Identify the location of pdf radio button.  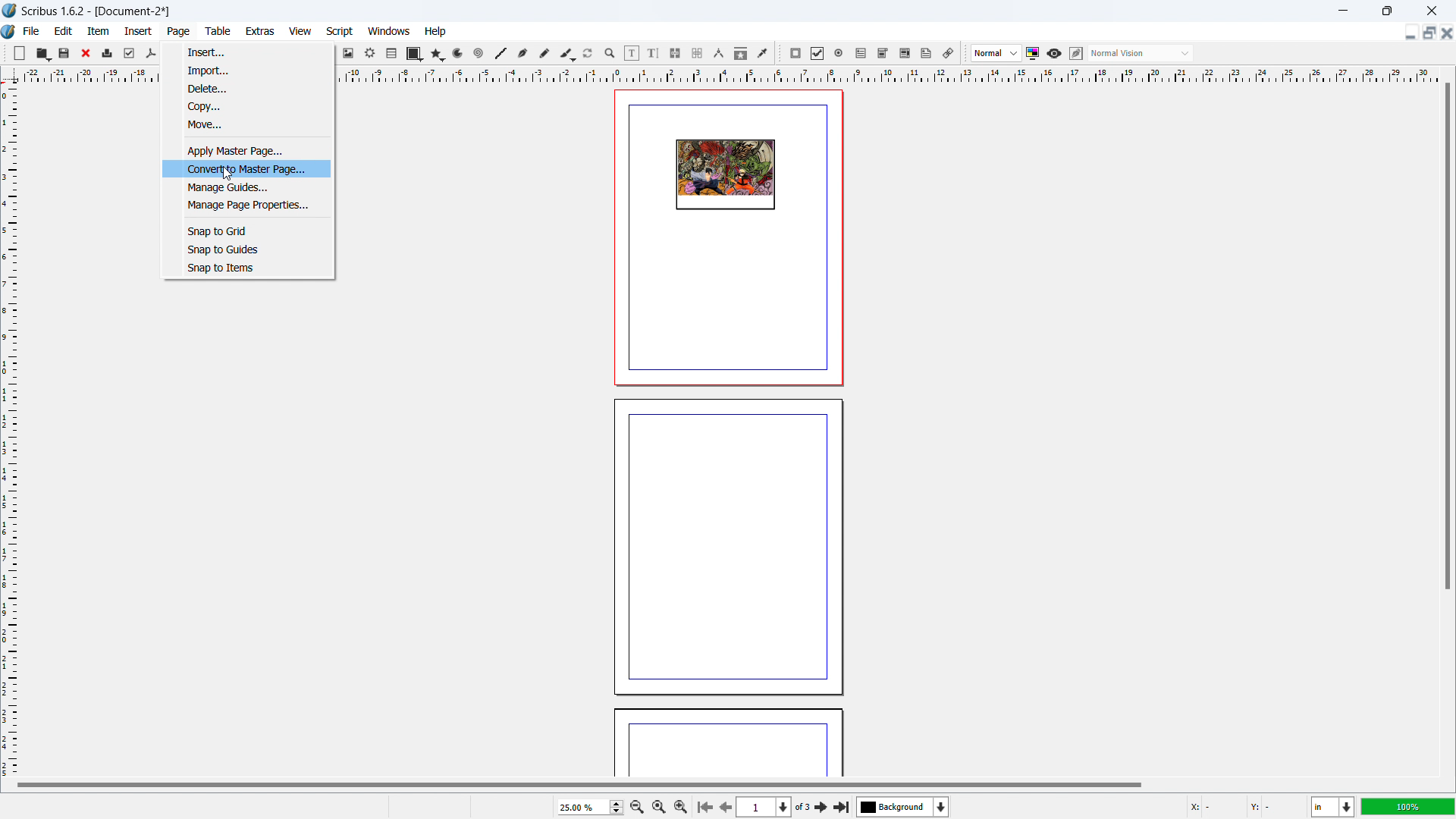
(839, 52).